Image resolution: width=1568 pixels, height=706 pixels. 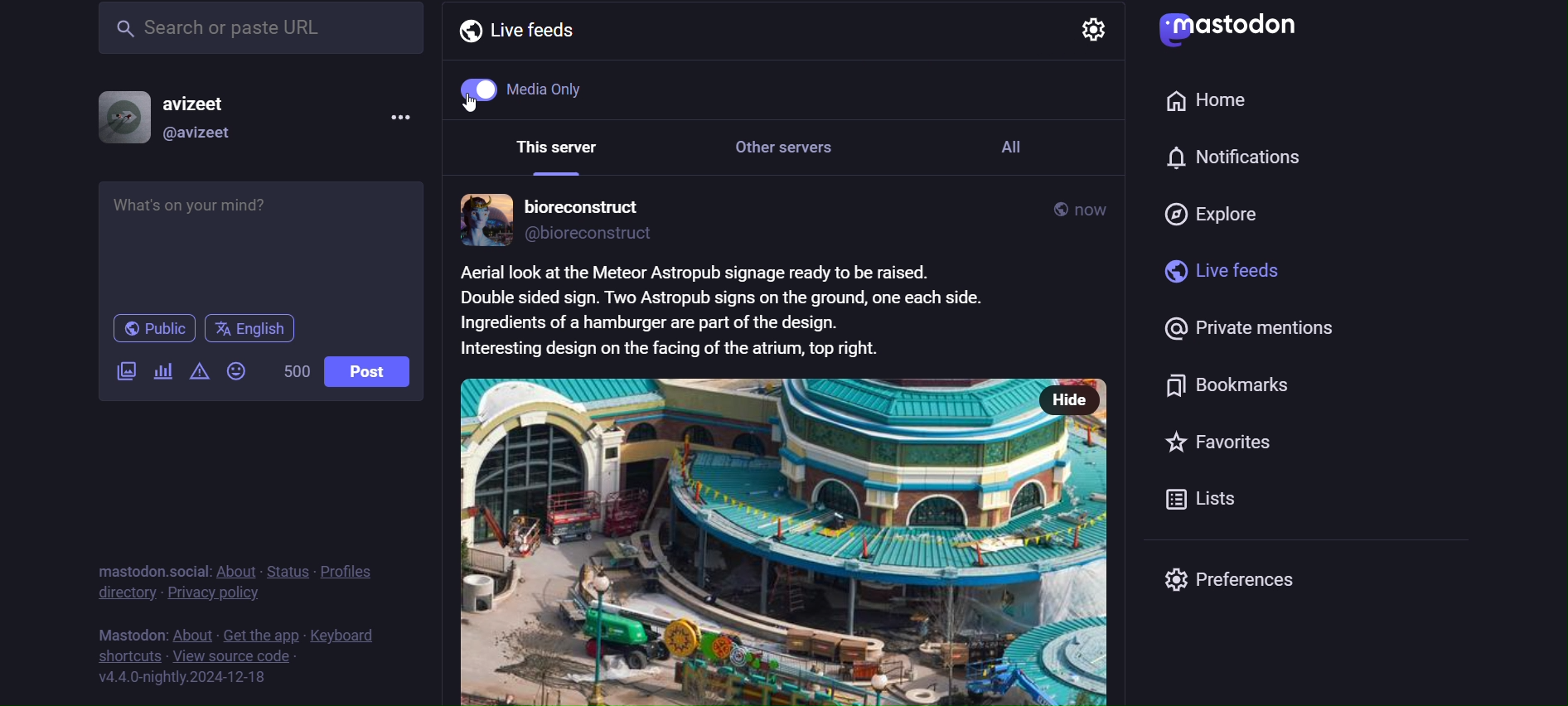 I want to click on live feeds, so click(x=1217, y=277).